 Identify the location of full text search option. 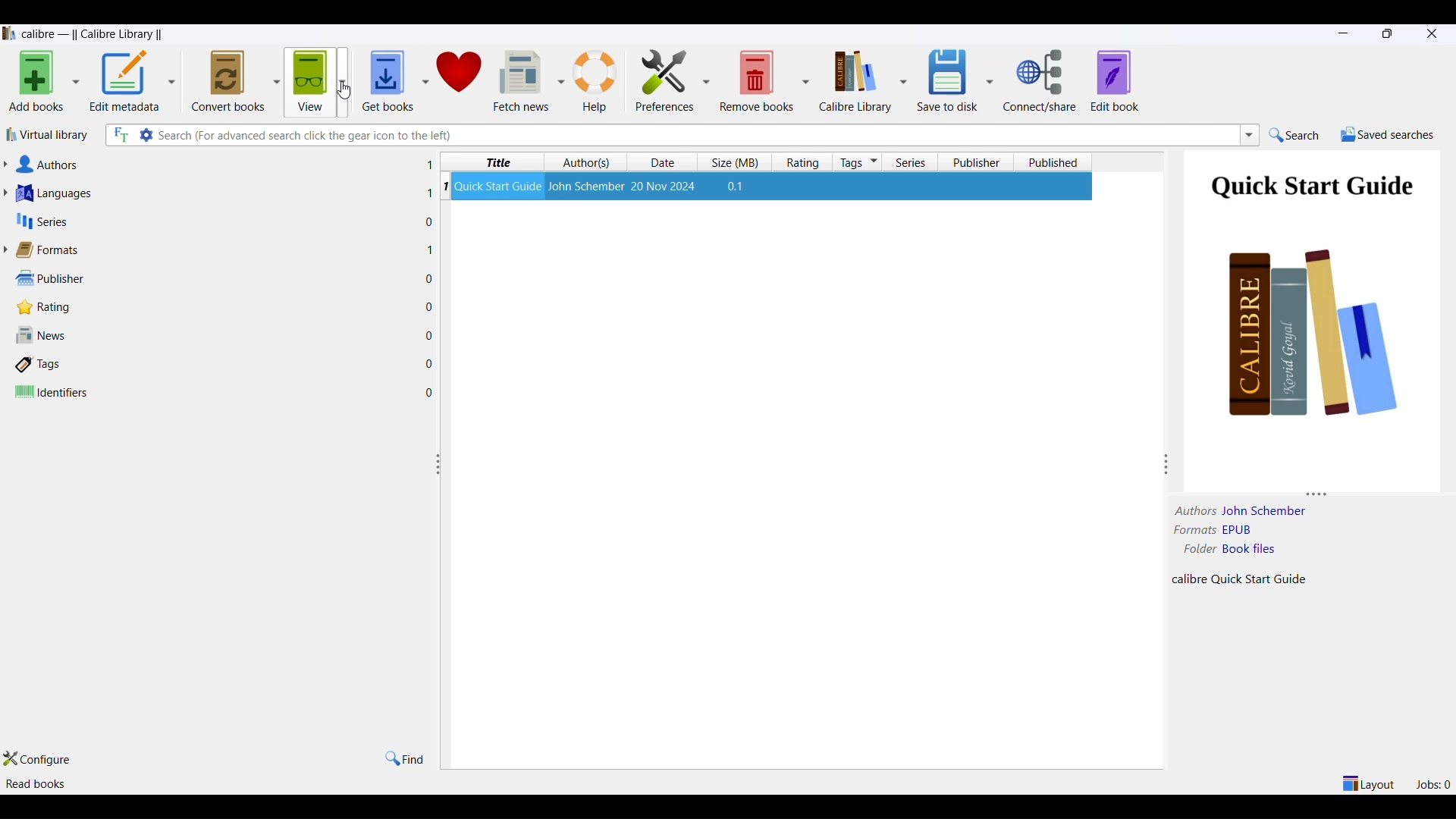
(121, 134).